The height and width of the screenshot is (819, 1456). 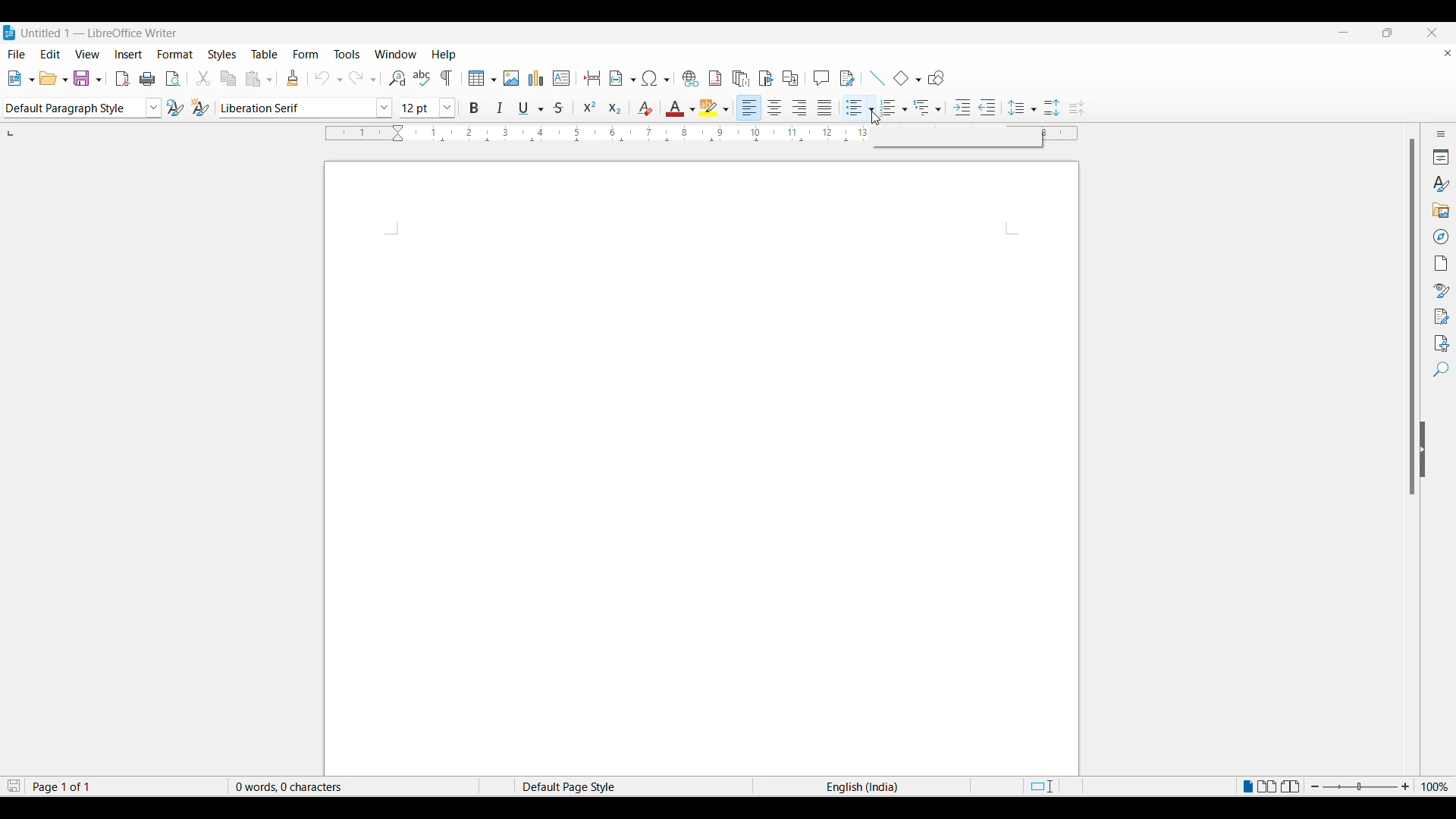 What do you see at coordinates (590, 106) in the screenshot?
I see `superscript` at bounding box center [590, 106].